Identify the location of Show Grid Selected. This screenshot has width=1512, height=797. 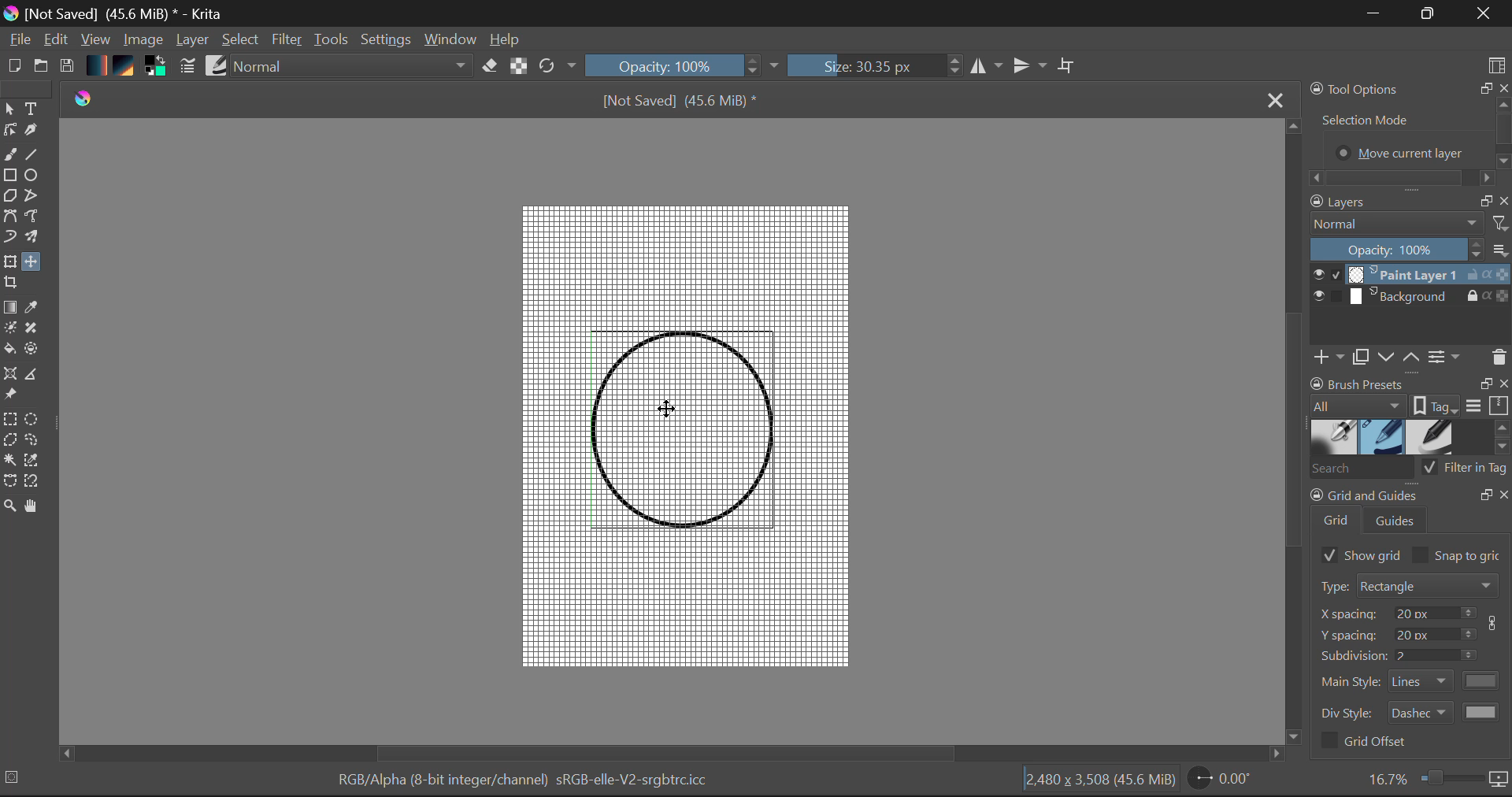
(1357, 554).